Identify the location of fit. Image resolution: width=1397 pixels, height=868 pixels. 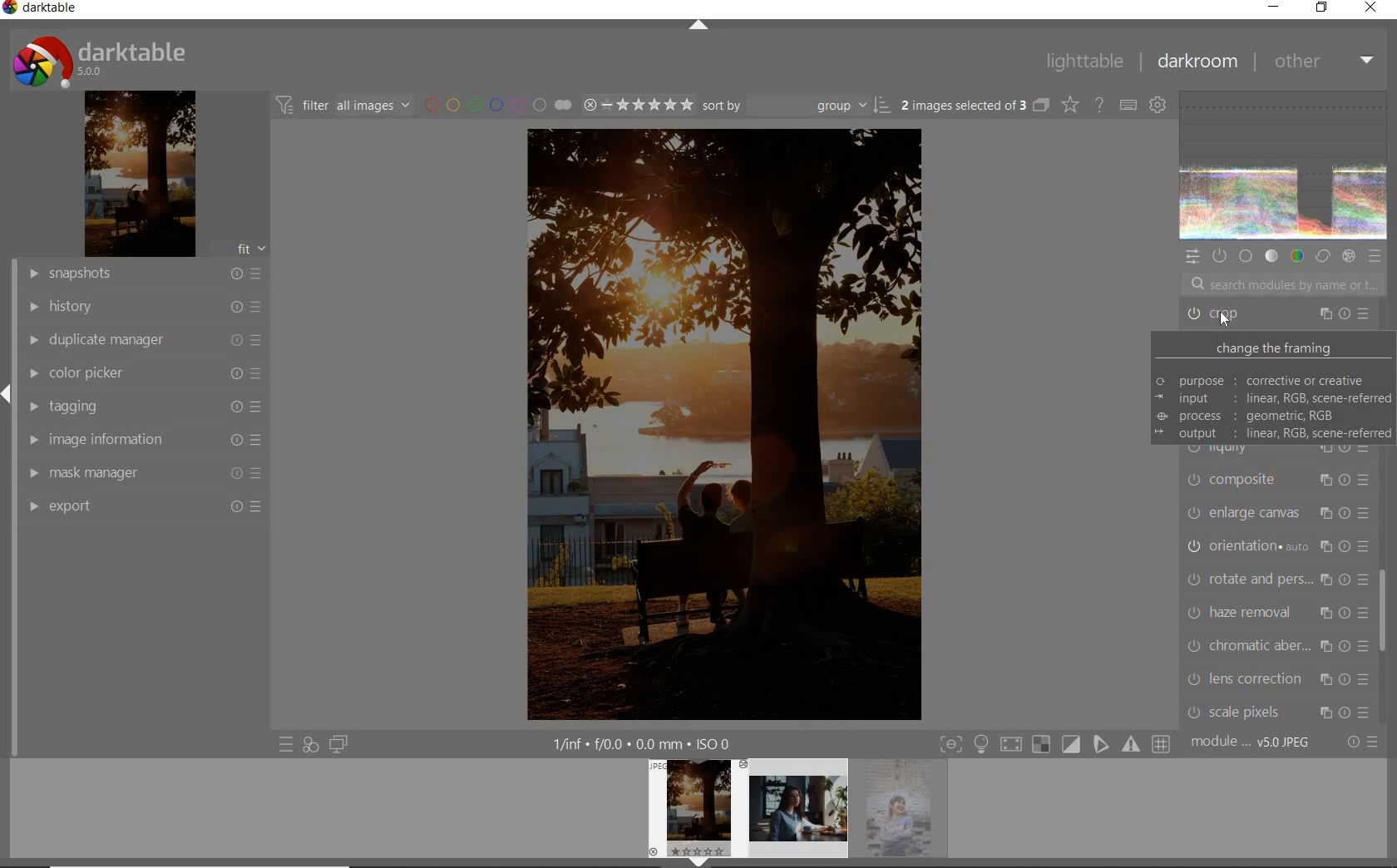
(251, 250).